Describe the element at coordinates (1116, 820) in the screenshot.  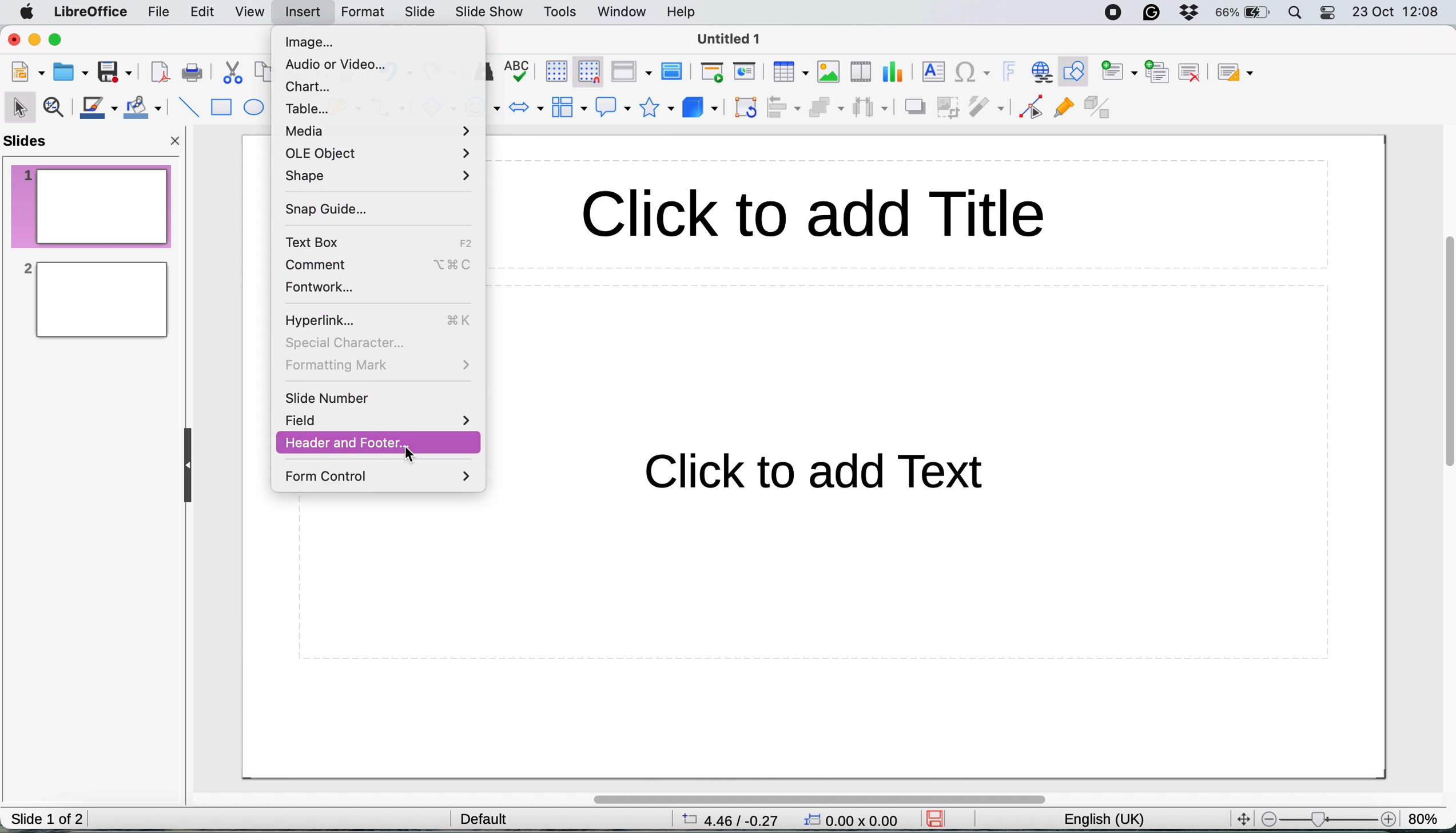
I see `english(UK)` at that location.